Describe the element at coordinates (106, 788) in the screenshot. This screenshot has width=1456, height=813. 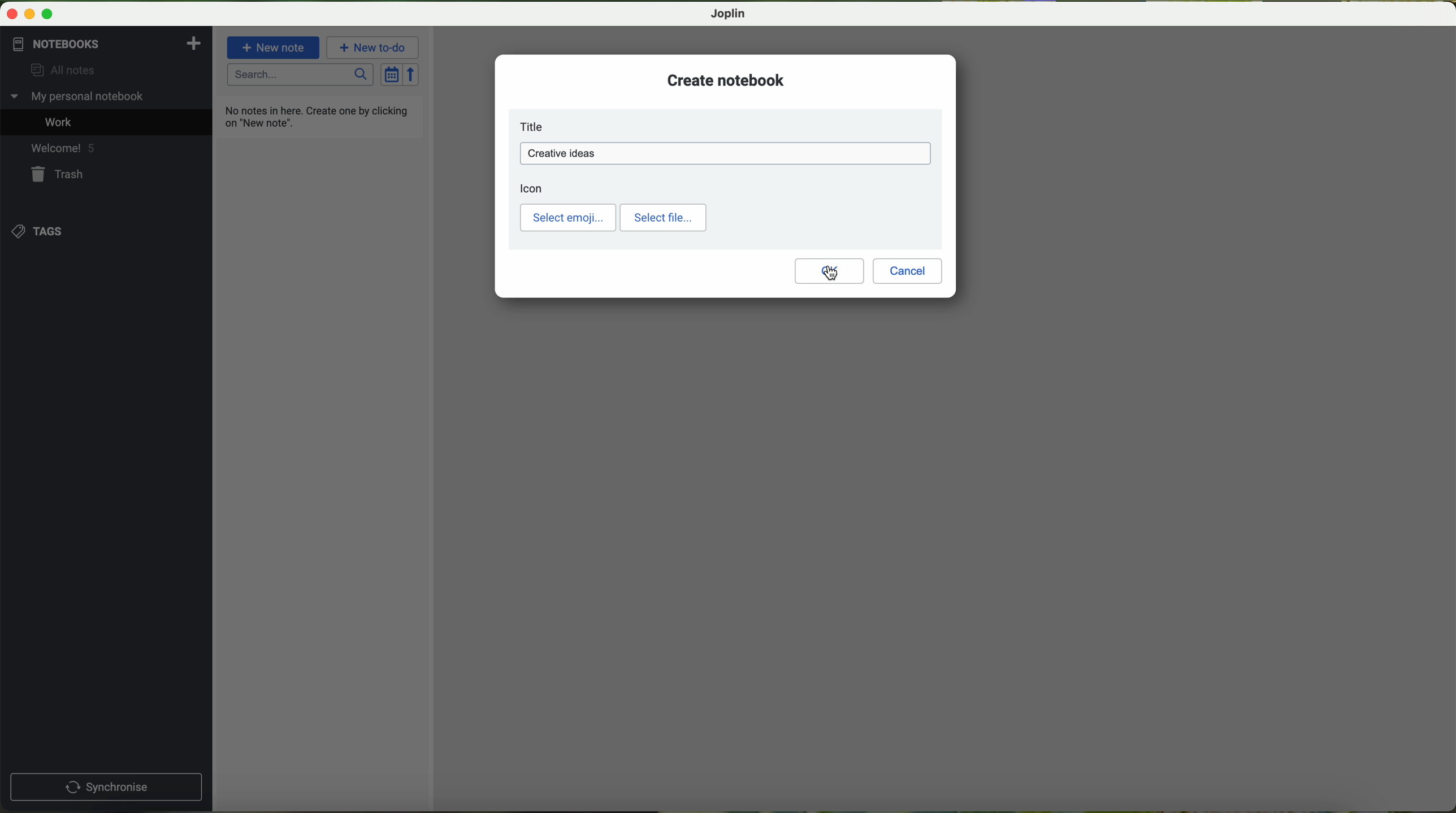
I see `synchronise button` at that location.